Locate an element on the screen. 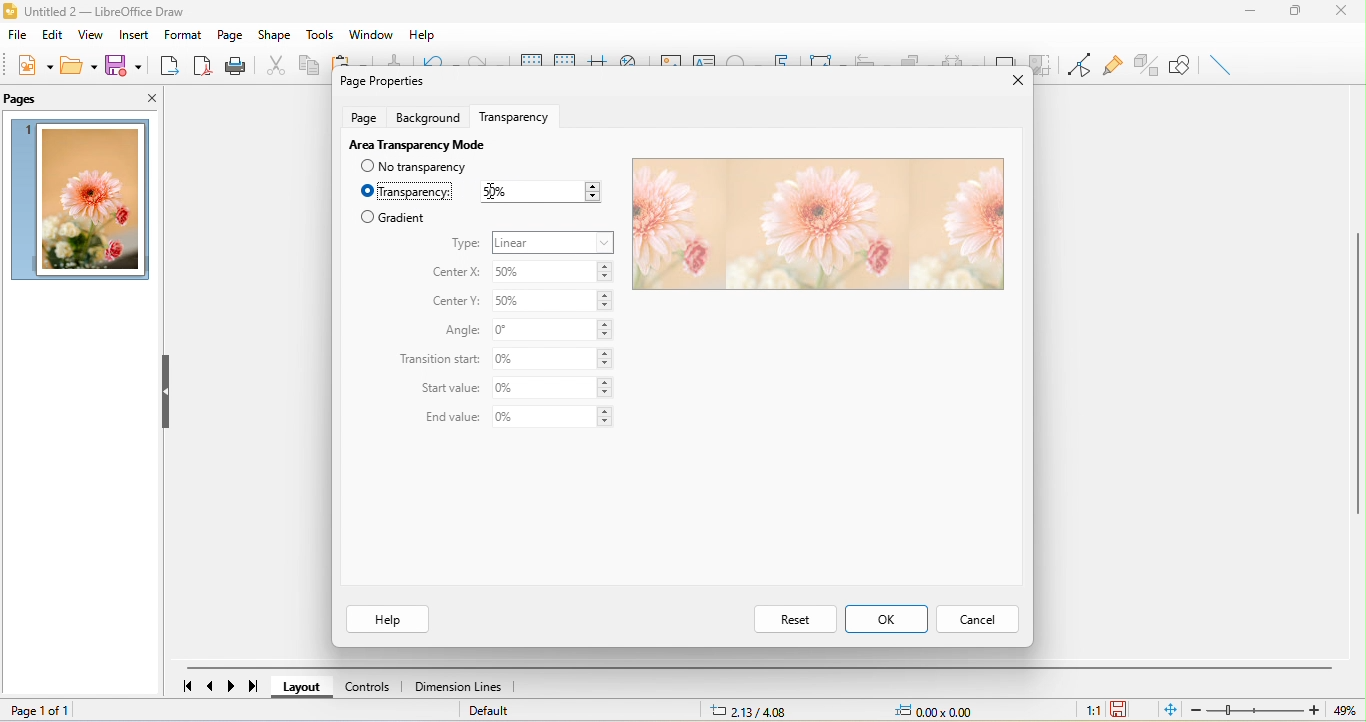 This screenshot has height=722, width=1366. insert line is located at coordinates (1221, 64).